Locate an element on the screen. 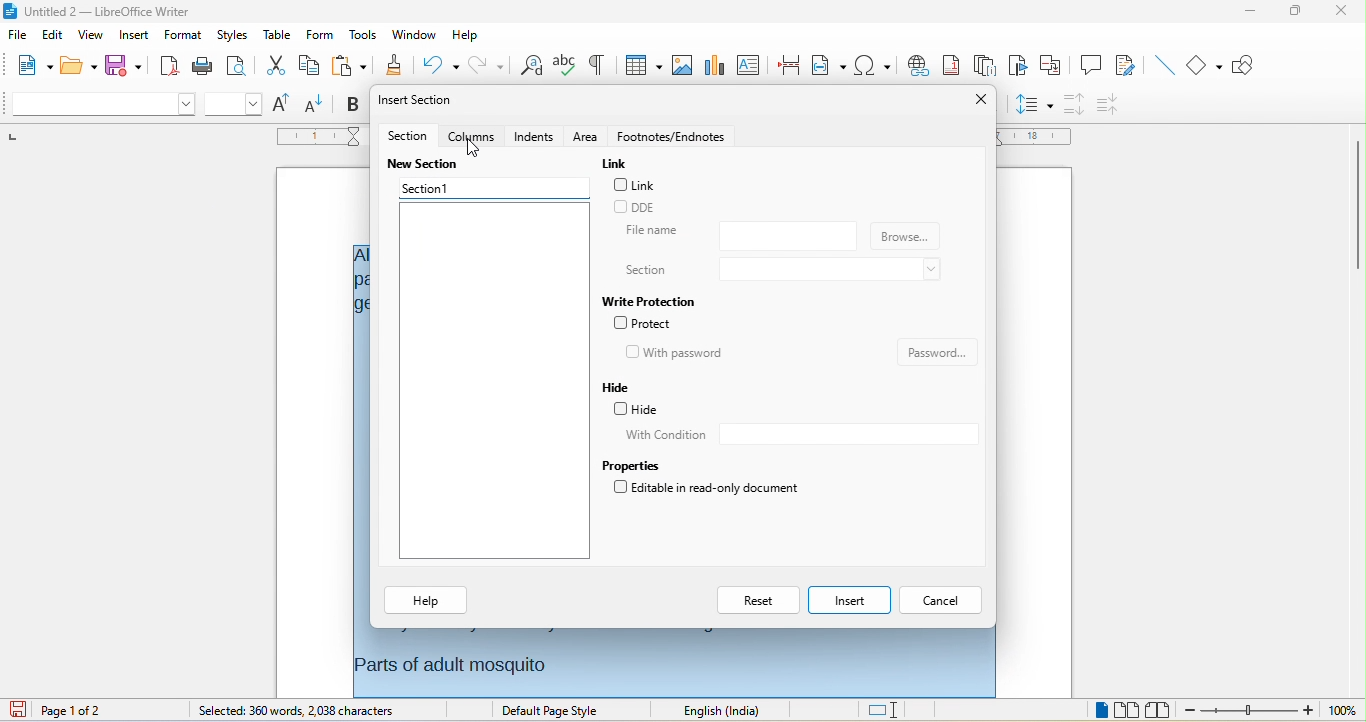 Image resolution: width=1366 pixels, height=722 pixels. new is located at coordinates (26, 65).